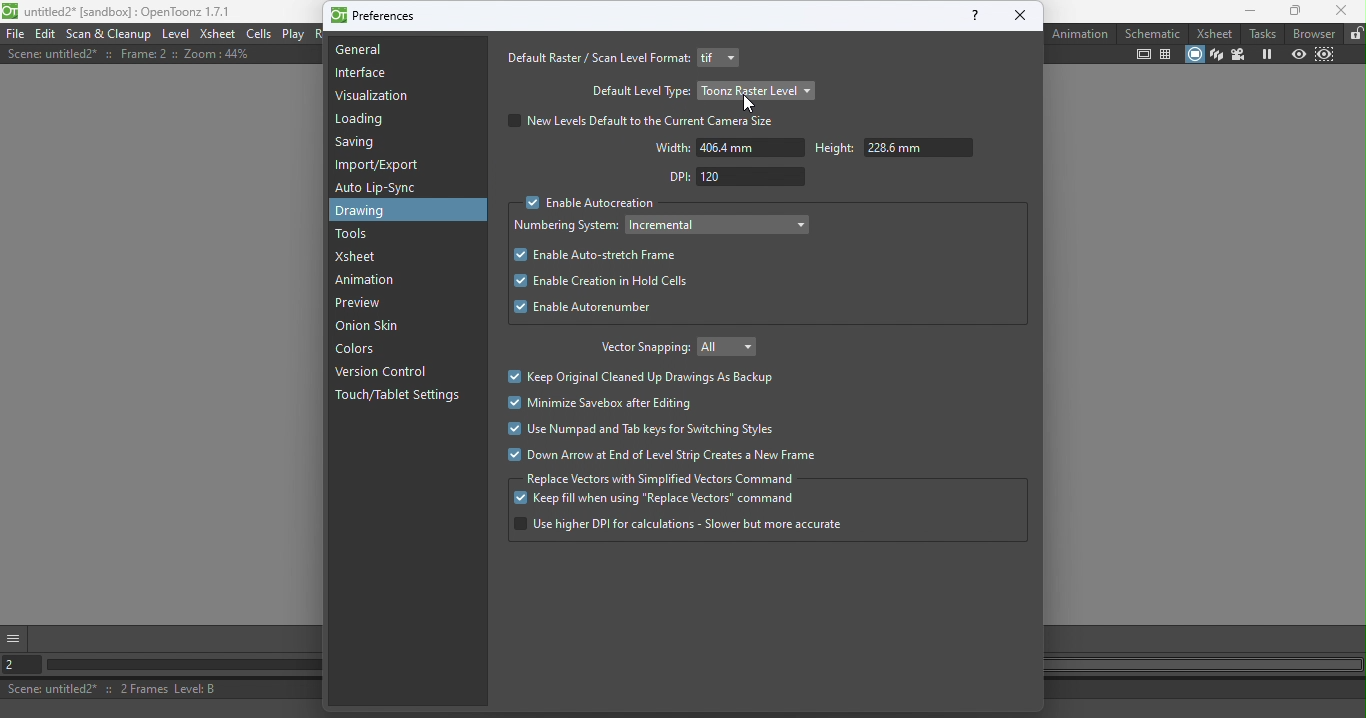  I want to click on Freeze, so click(1266, 54).